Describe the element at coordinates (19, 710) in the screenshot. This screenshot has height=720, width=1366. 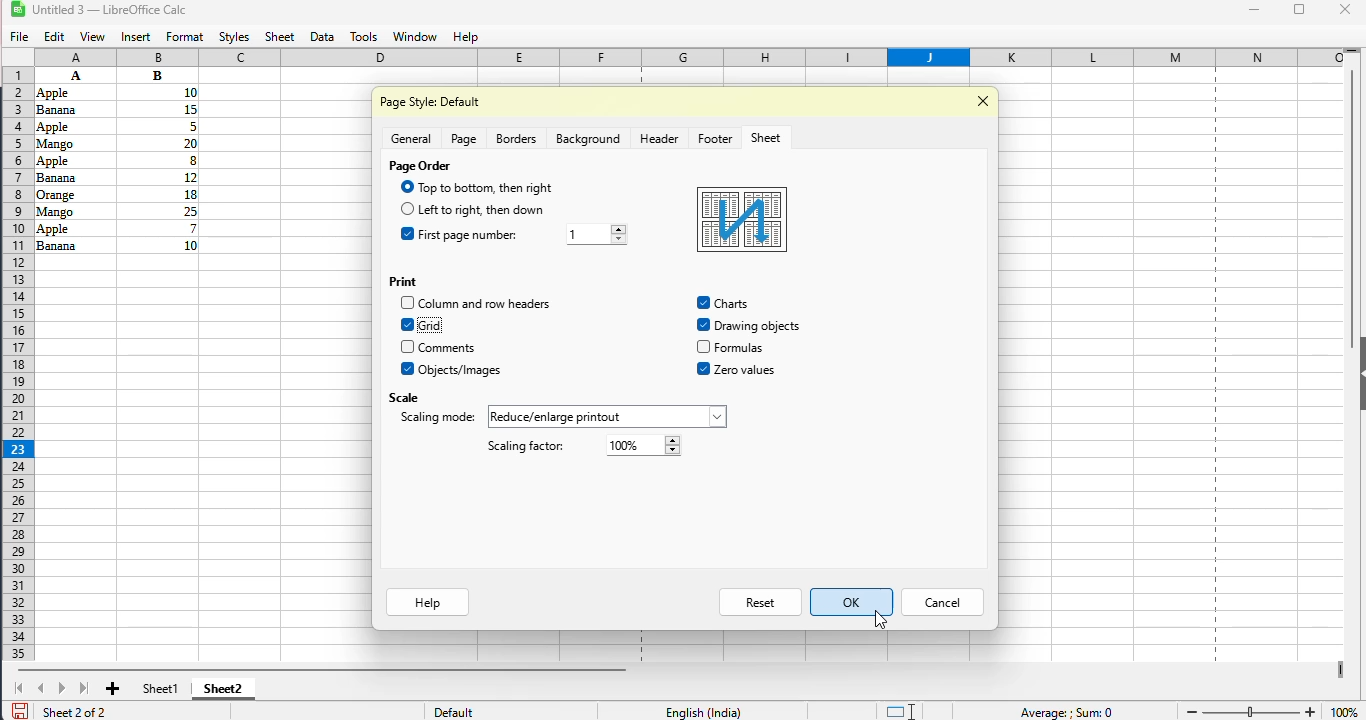
I see `click to save document` at that location.